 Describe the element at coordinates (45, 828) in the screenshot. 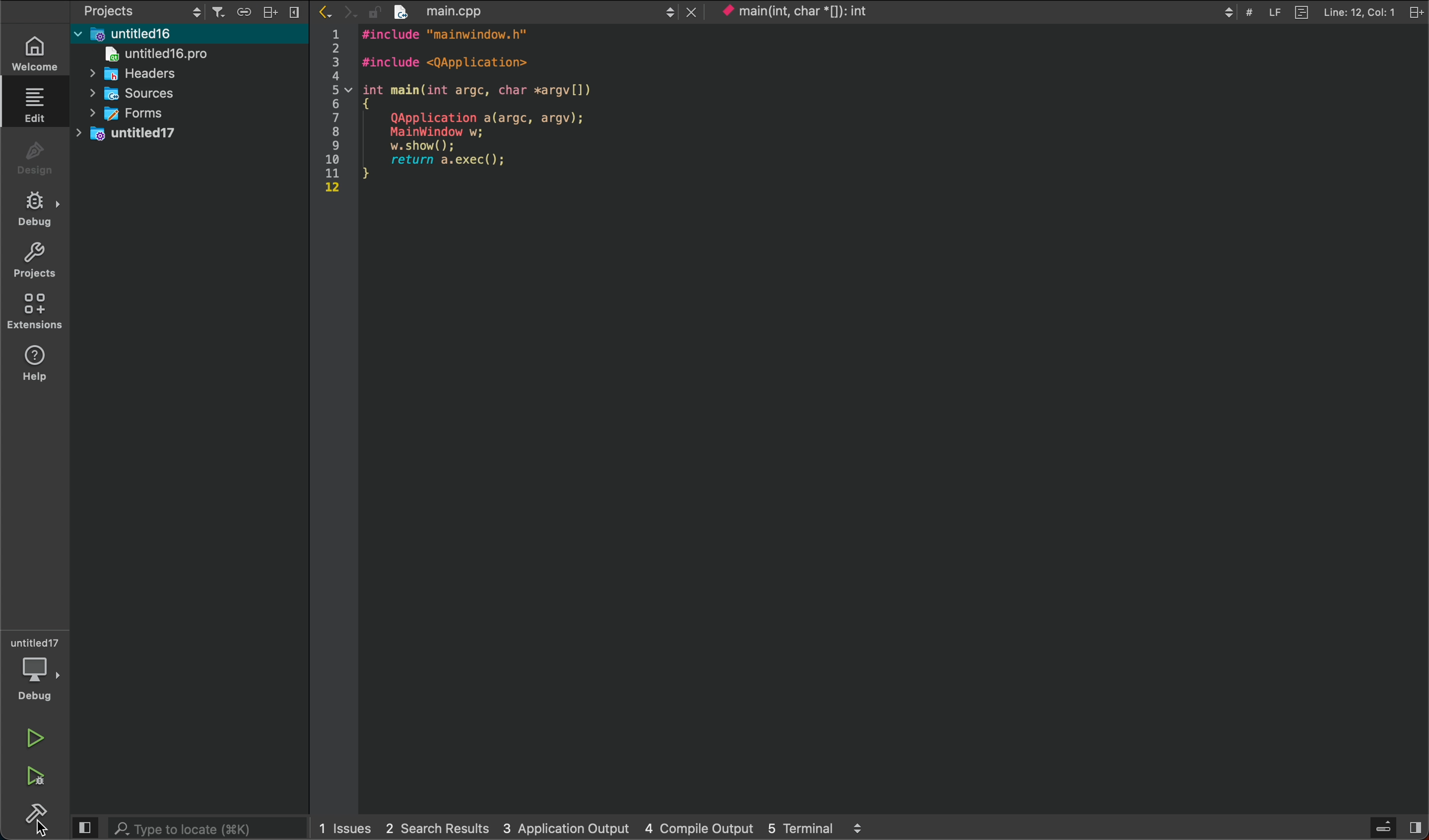

I see `cursor` at that location.